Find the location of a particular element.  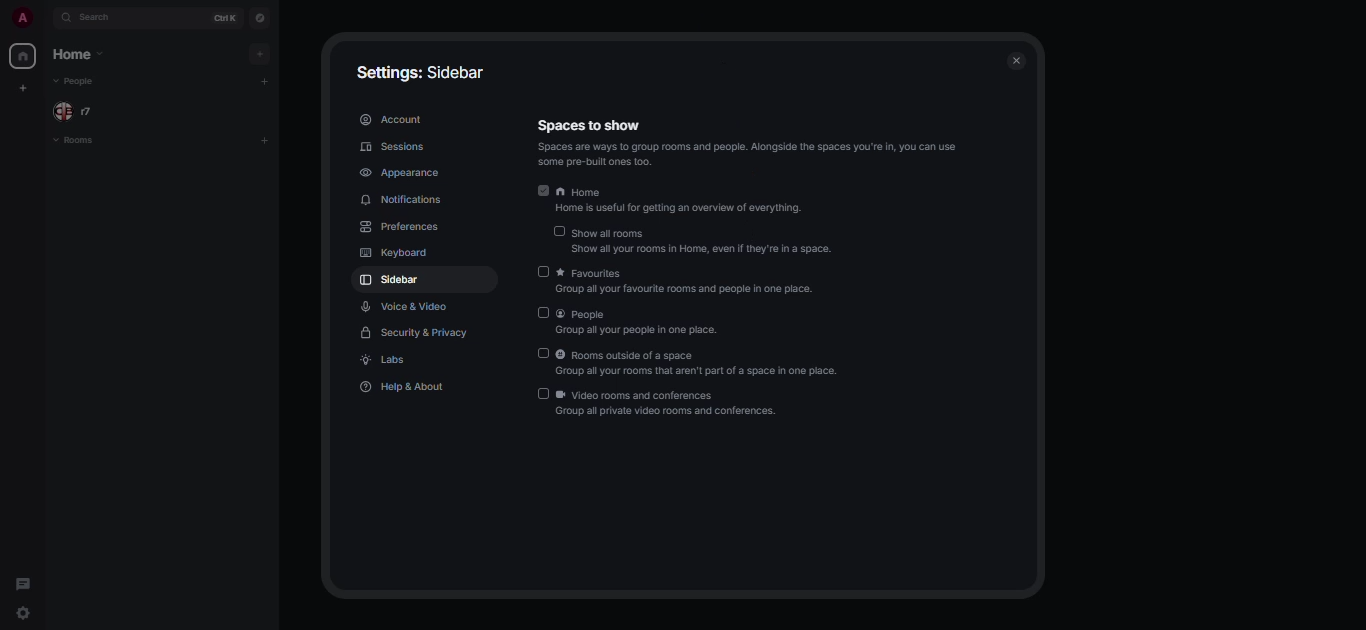

appearance is located at coordinates (400, 172).